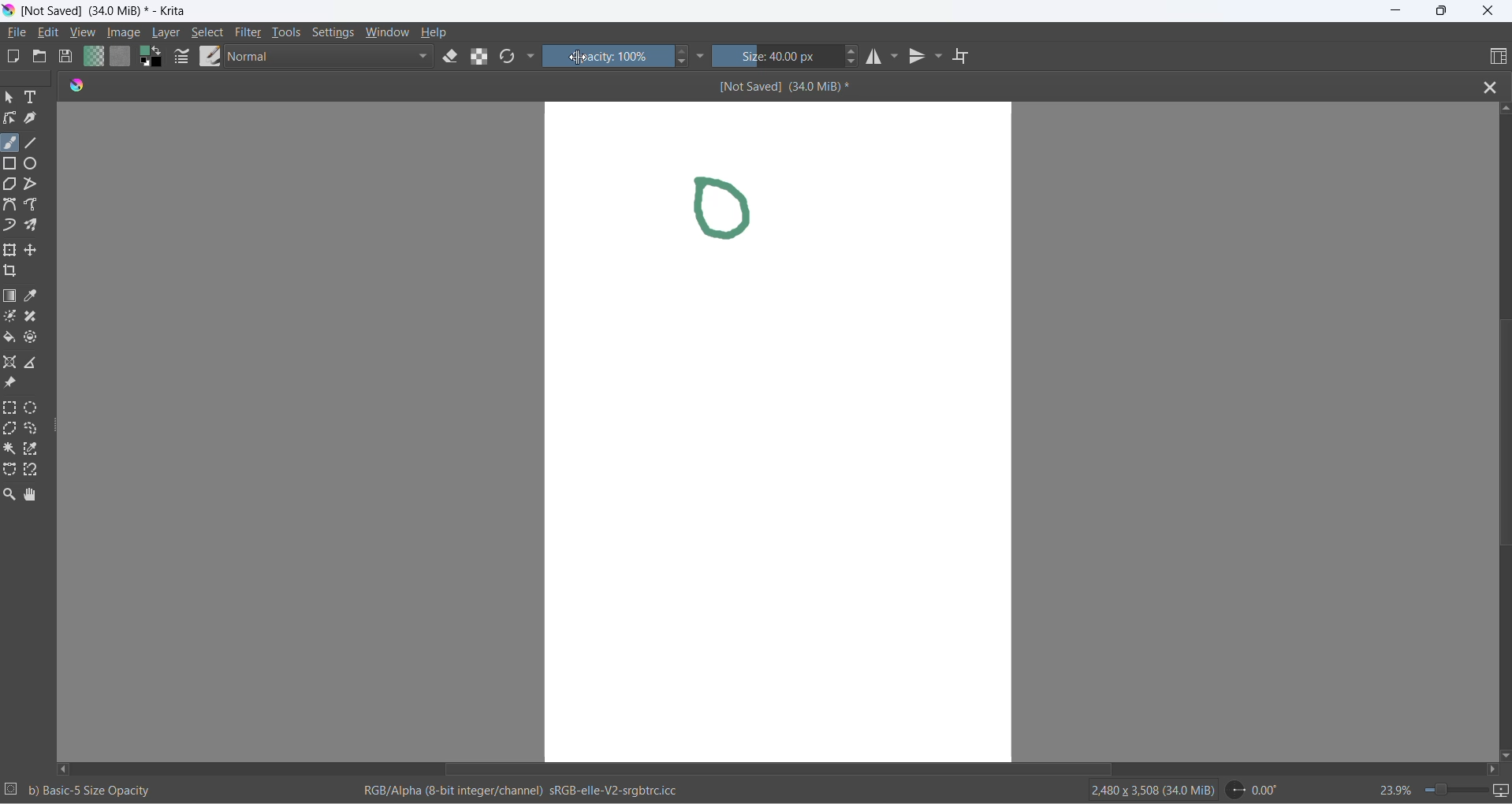 The height and width of the screenshot is (804, 1512). What do you see at coordinates (39, 164) in the screenshot?
I see `ellipse tool` at bounding box center [39, 164].